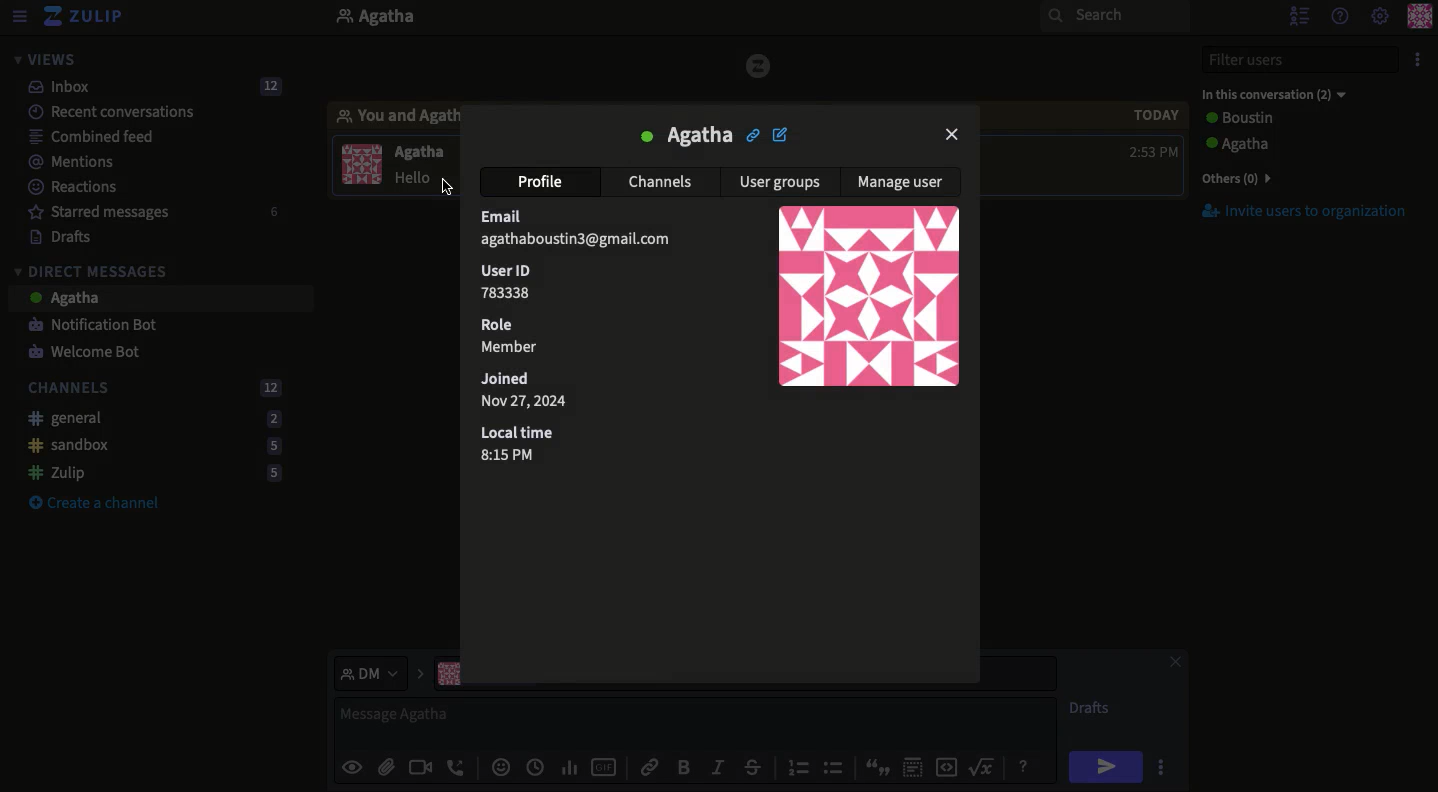 The width and height of the screenshot is (1438, 792). What do you see at coordinates (386, 769) in the screenshot?
I see `File` at bounding box center [386, 769].